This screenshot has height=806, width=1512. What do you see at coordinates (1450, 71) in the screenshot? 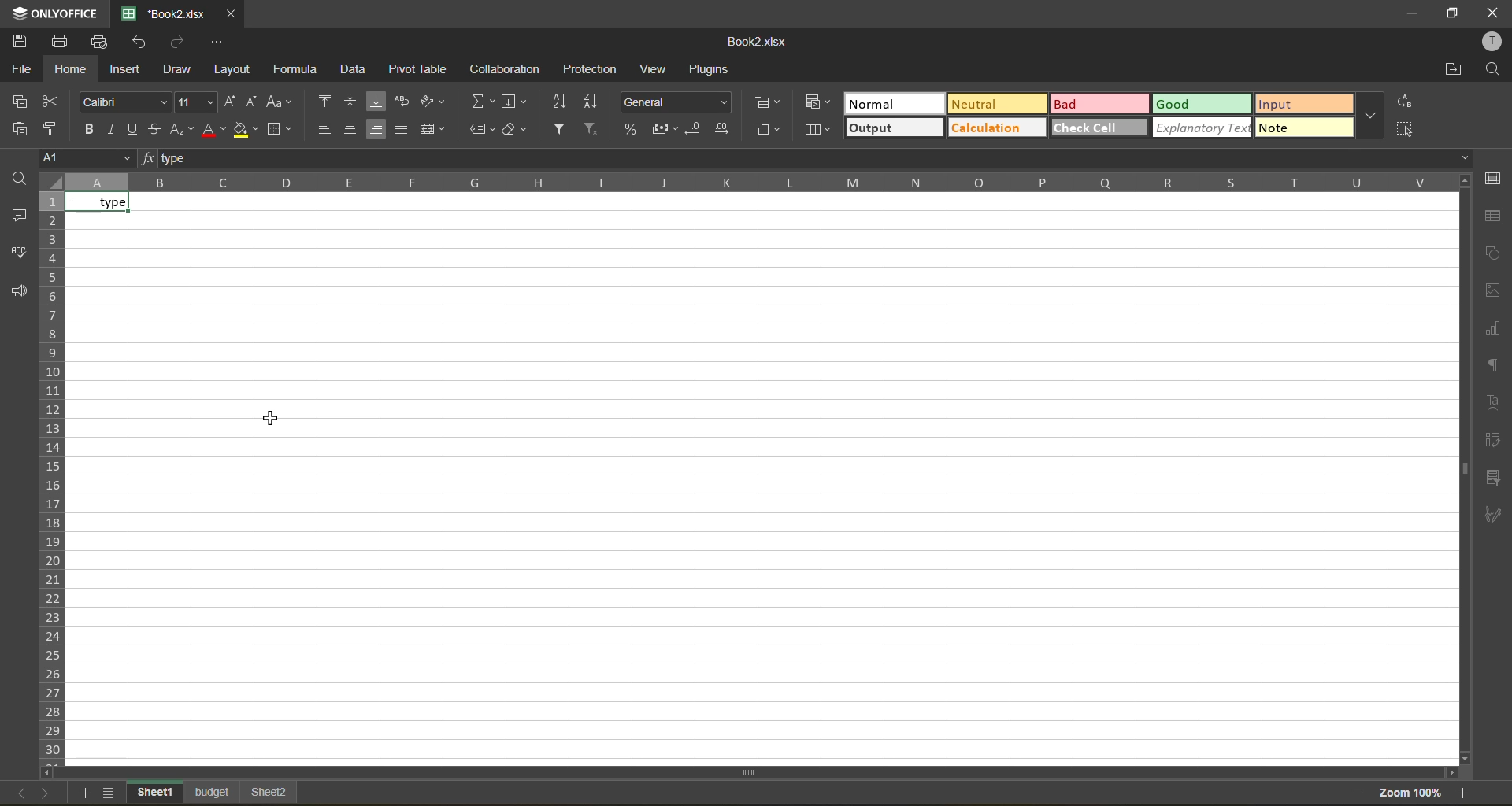
I see `open location` at bounding box center [1450, 71].